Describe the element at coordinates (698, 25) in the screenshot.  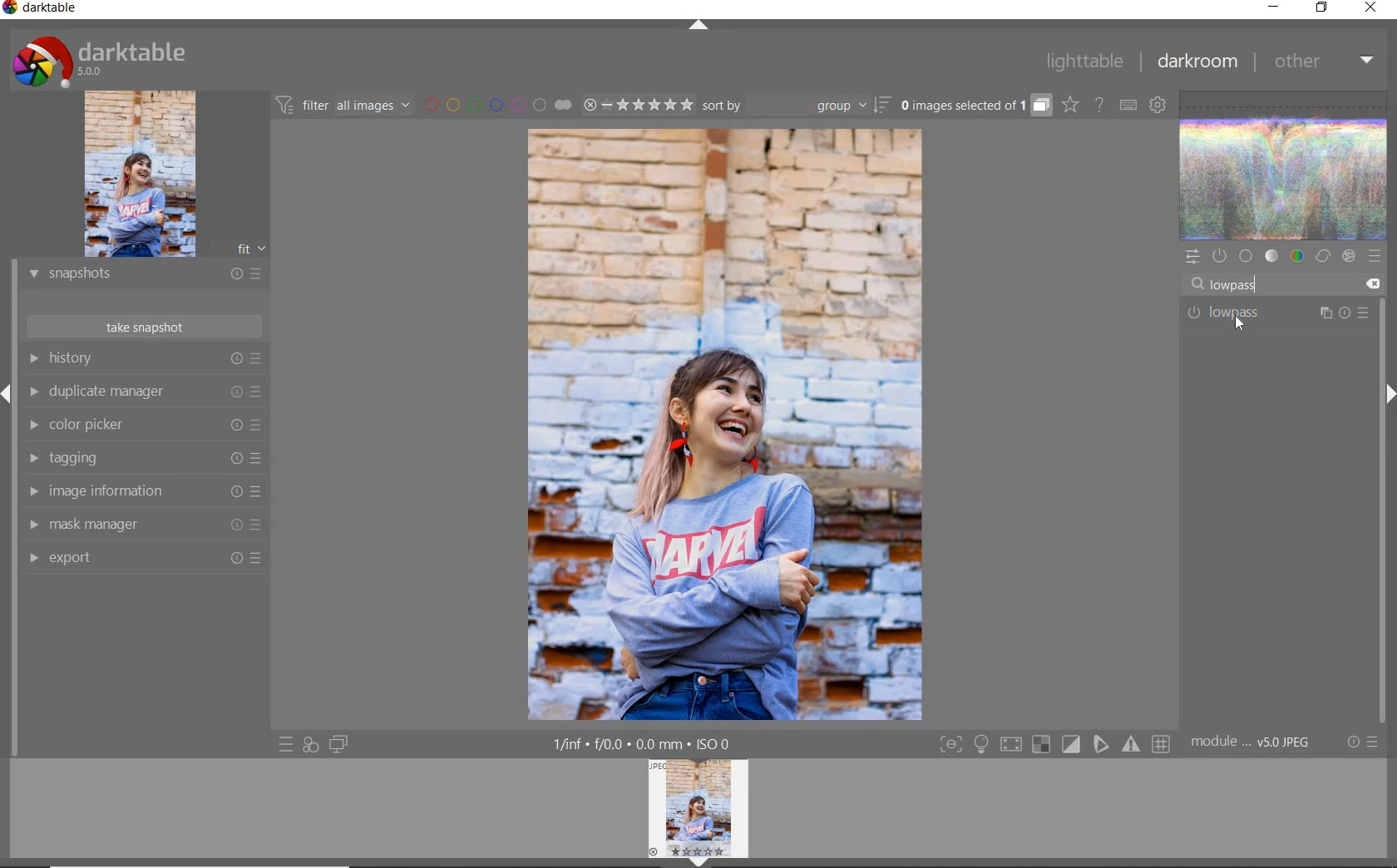
I see `expand/collapse` at that location.